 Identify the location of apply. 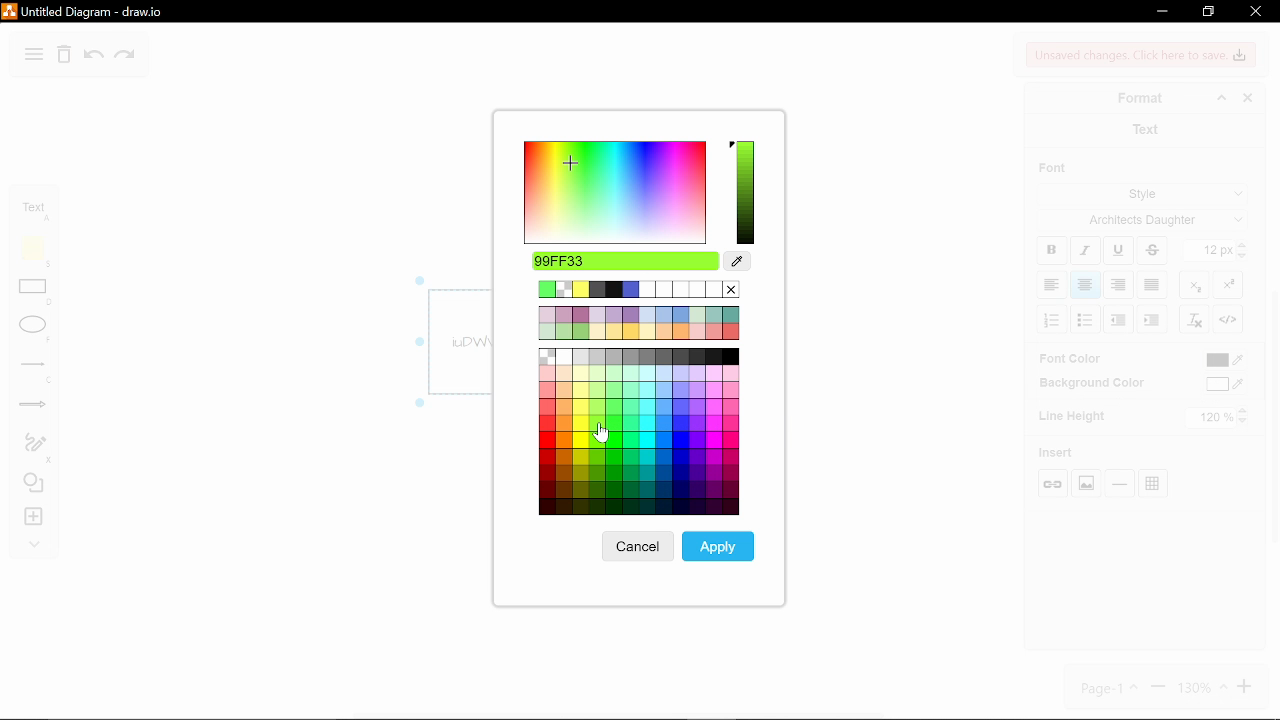
(720, 548).